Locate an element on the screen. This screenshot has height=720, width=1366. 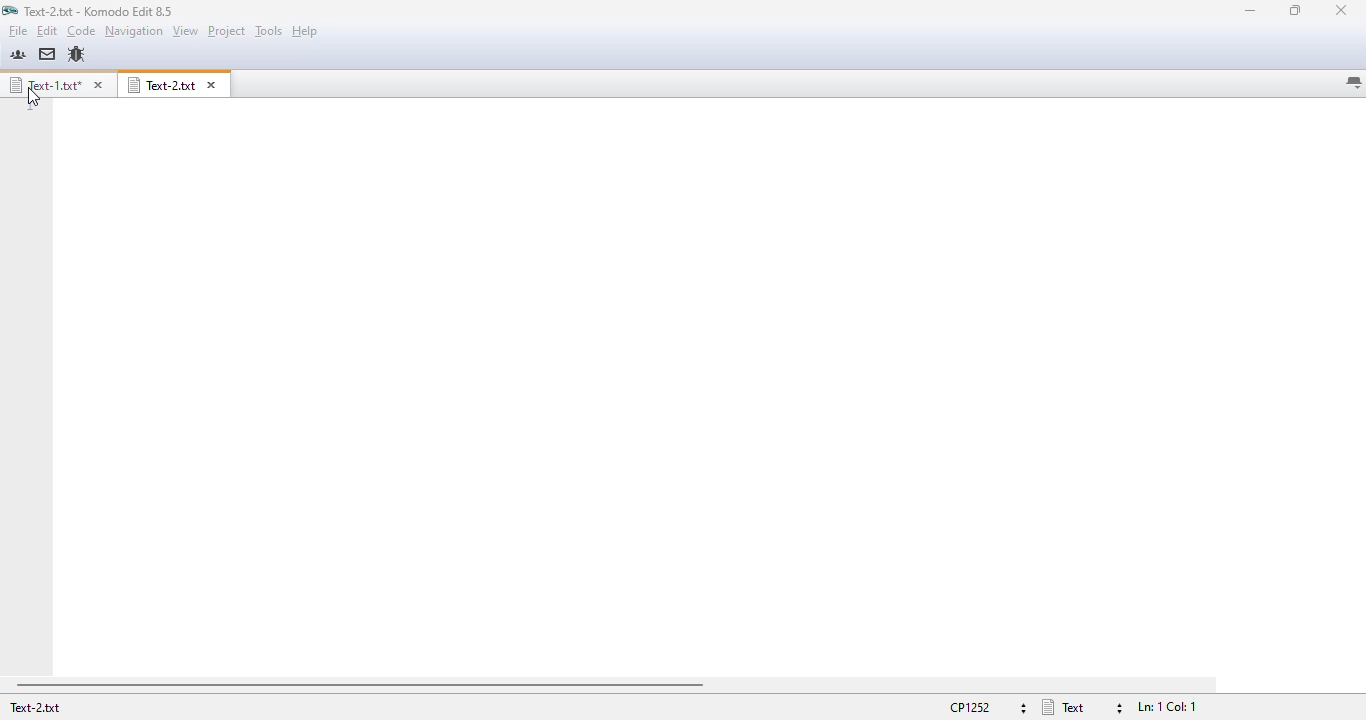
file is located at coordinates (17, 31).